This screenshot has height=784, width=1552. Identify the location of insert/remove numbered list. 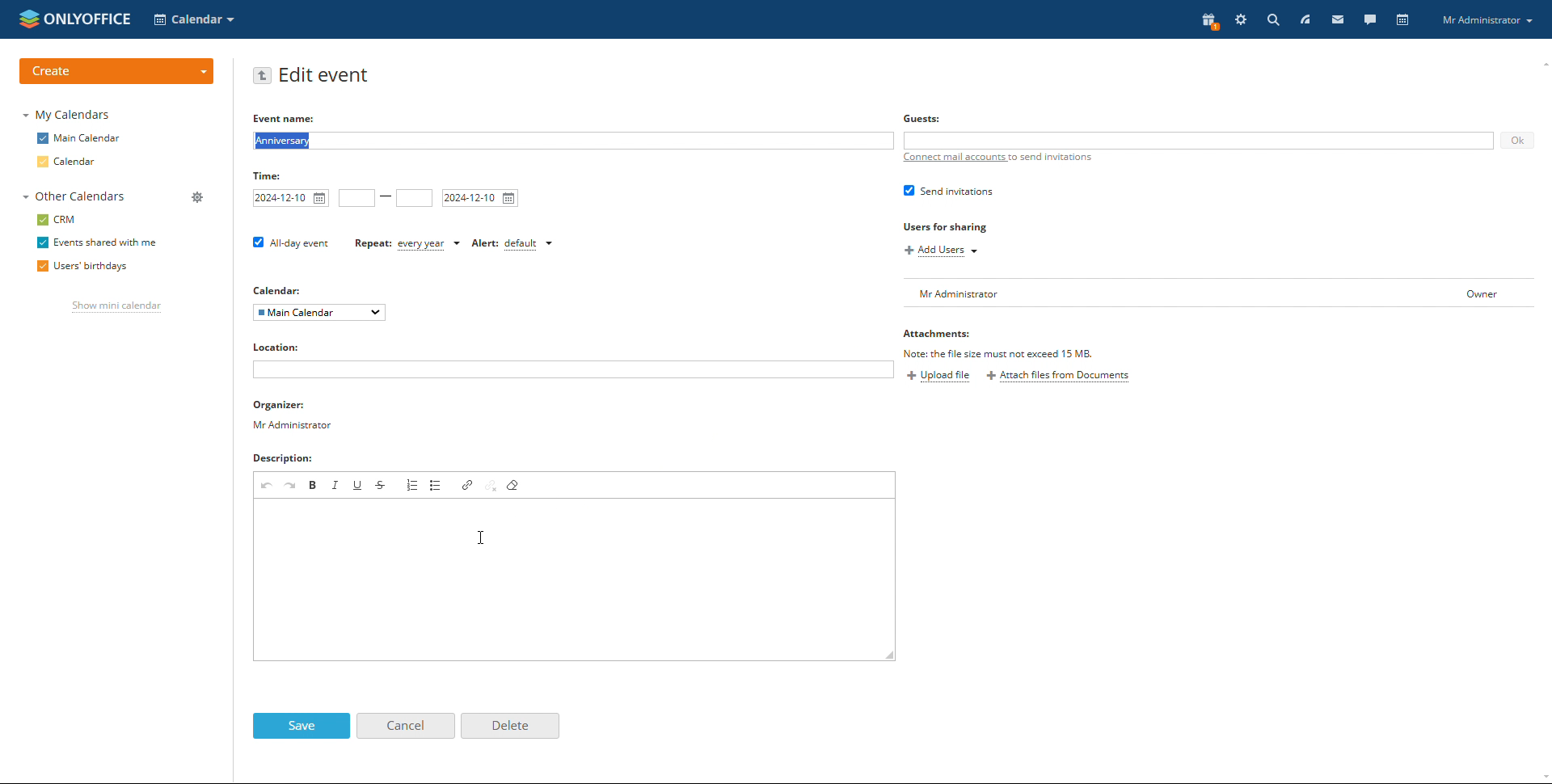
(412, 484).